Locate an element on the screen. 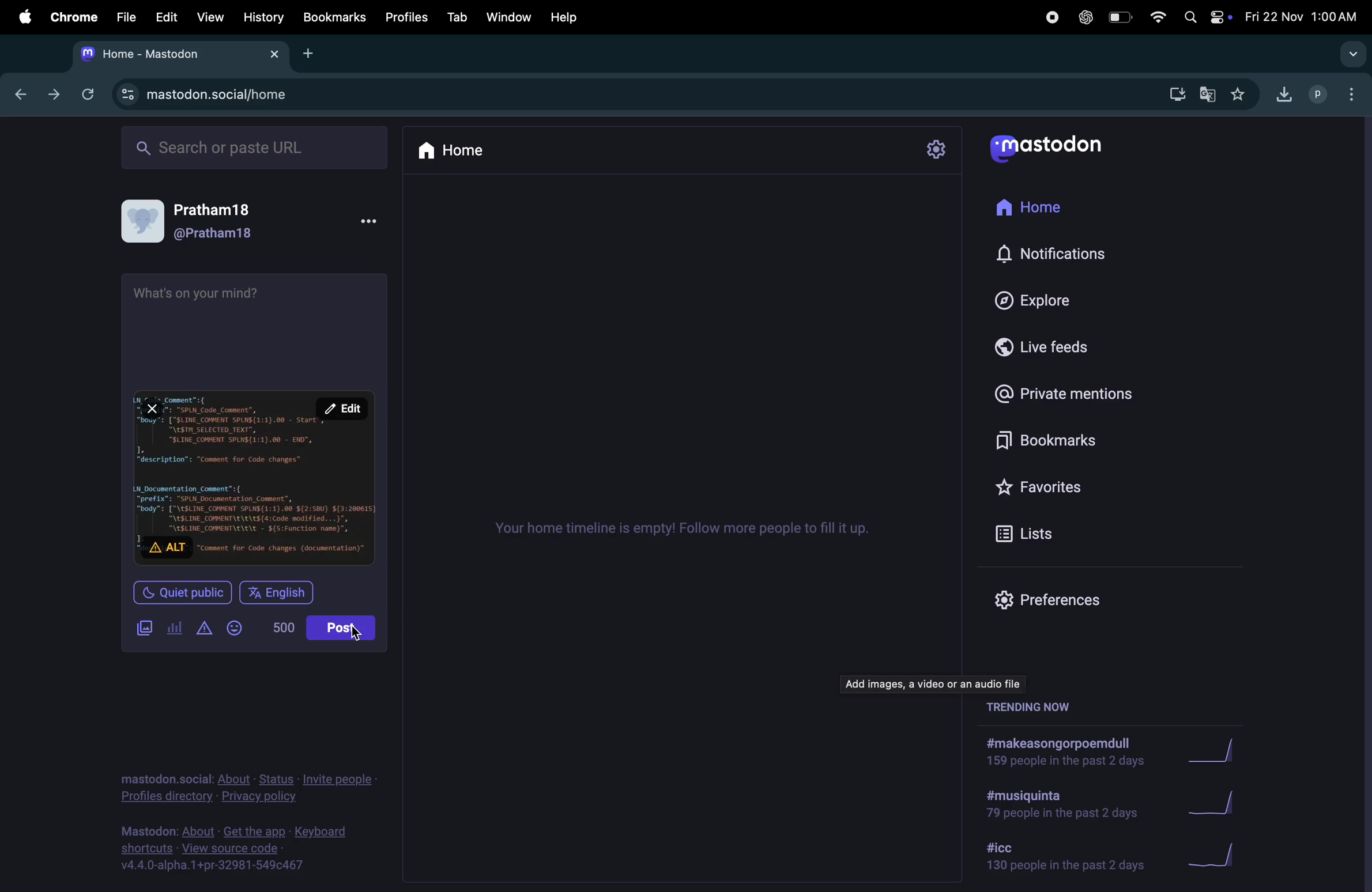  record is located at coordinates (1053, 18).